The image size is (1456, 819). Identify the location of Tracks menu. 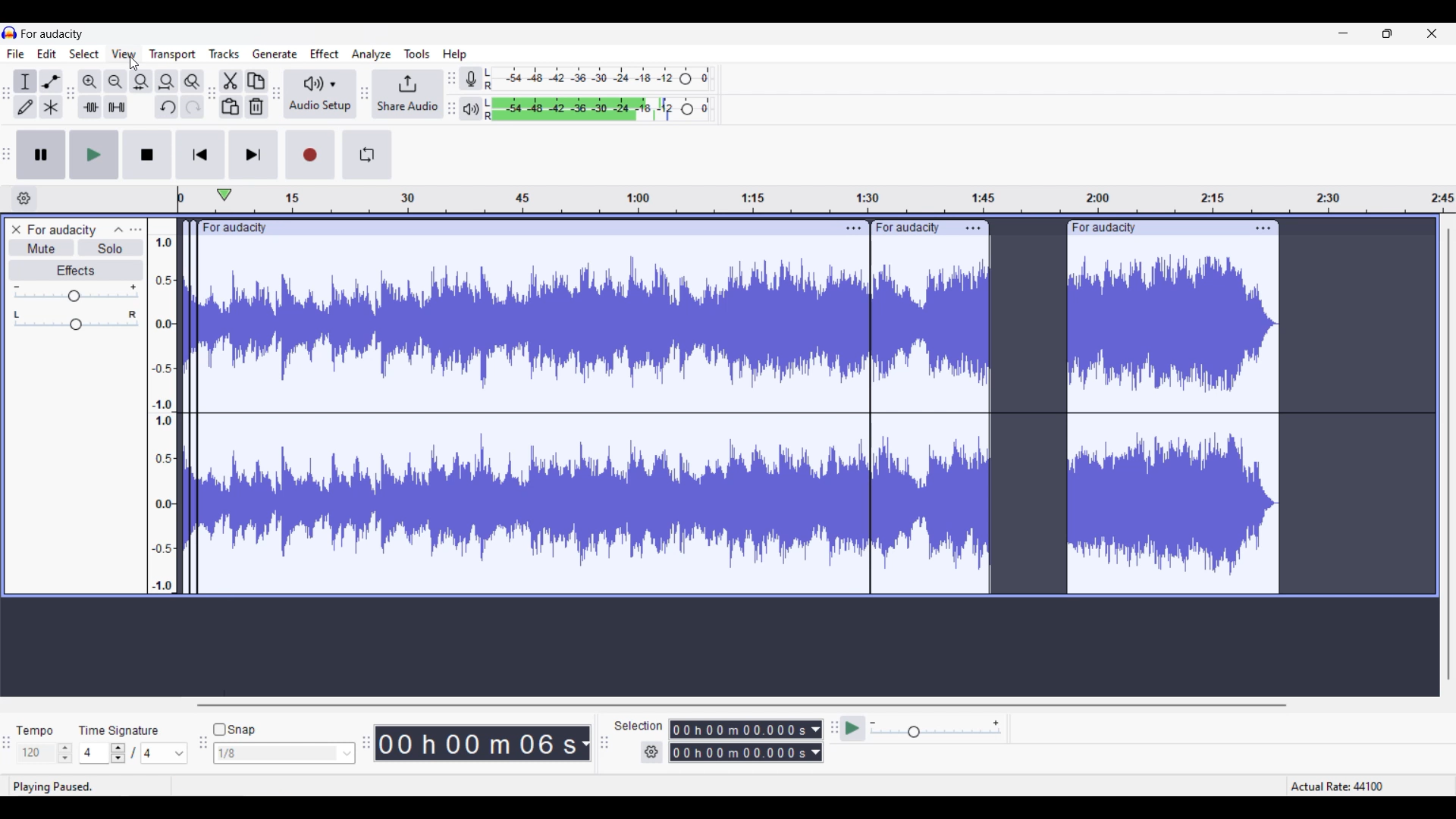
(224, 55).